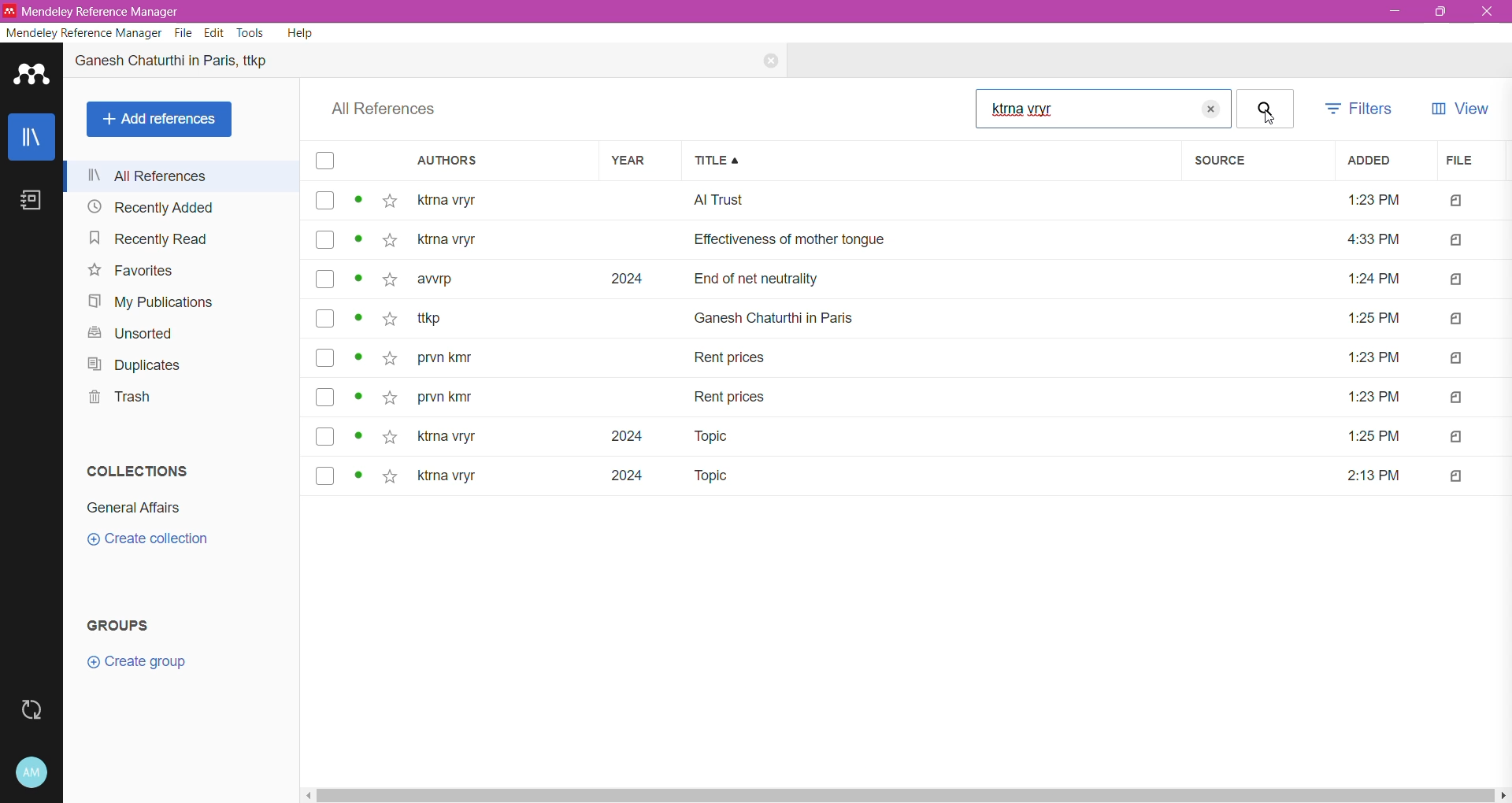  Describe the element at coordinates (360, 476) in the screenshot. I see `view status` at that location.